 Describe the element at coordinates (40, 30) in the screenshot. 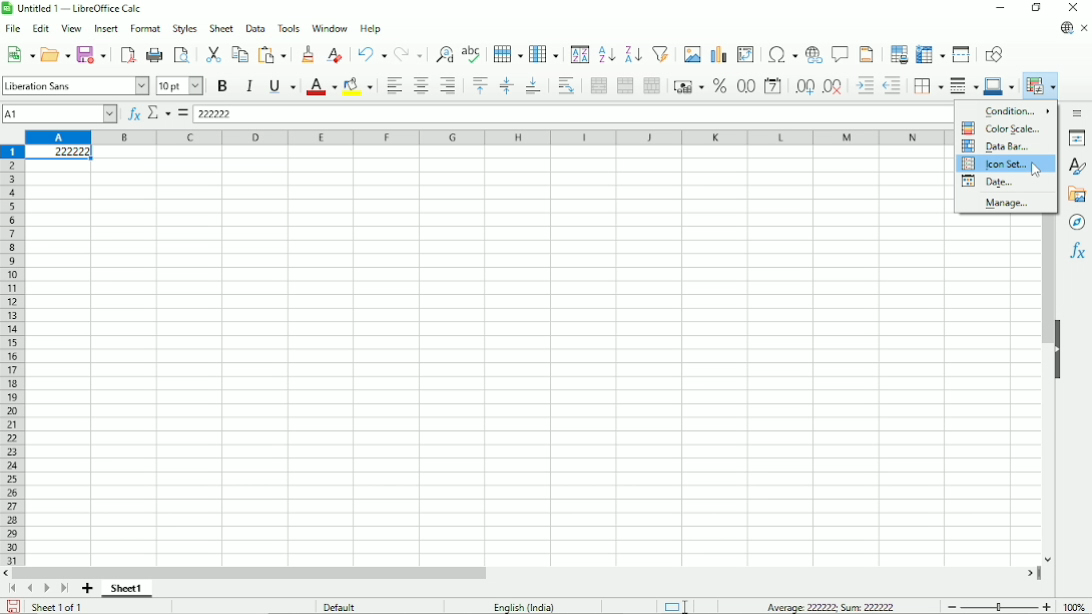

I see `Edit` at that location.